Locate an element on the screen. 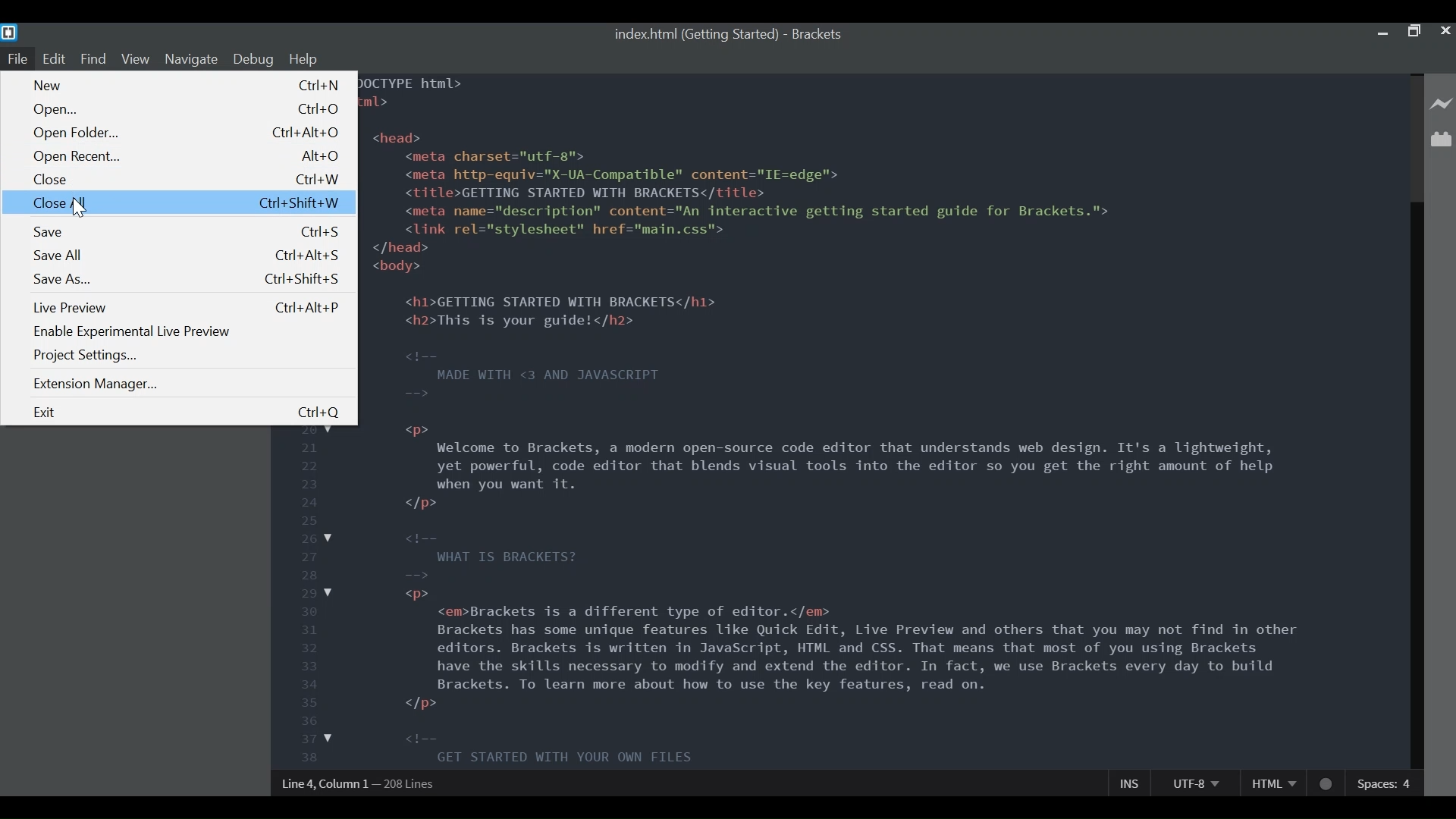 The width and height of the screenshot is (1456, 819). Help is located at coordinates (304, 58).